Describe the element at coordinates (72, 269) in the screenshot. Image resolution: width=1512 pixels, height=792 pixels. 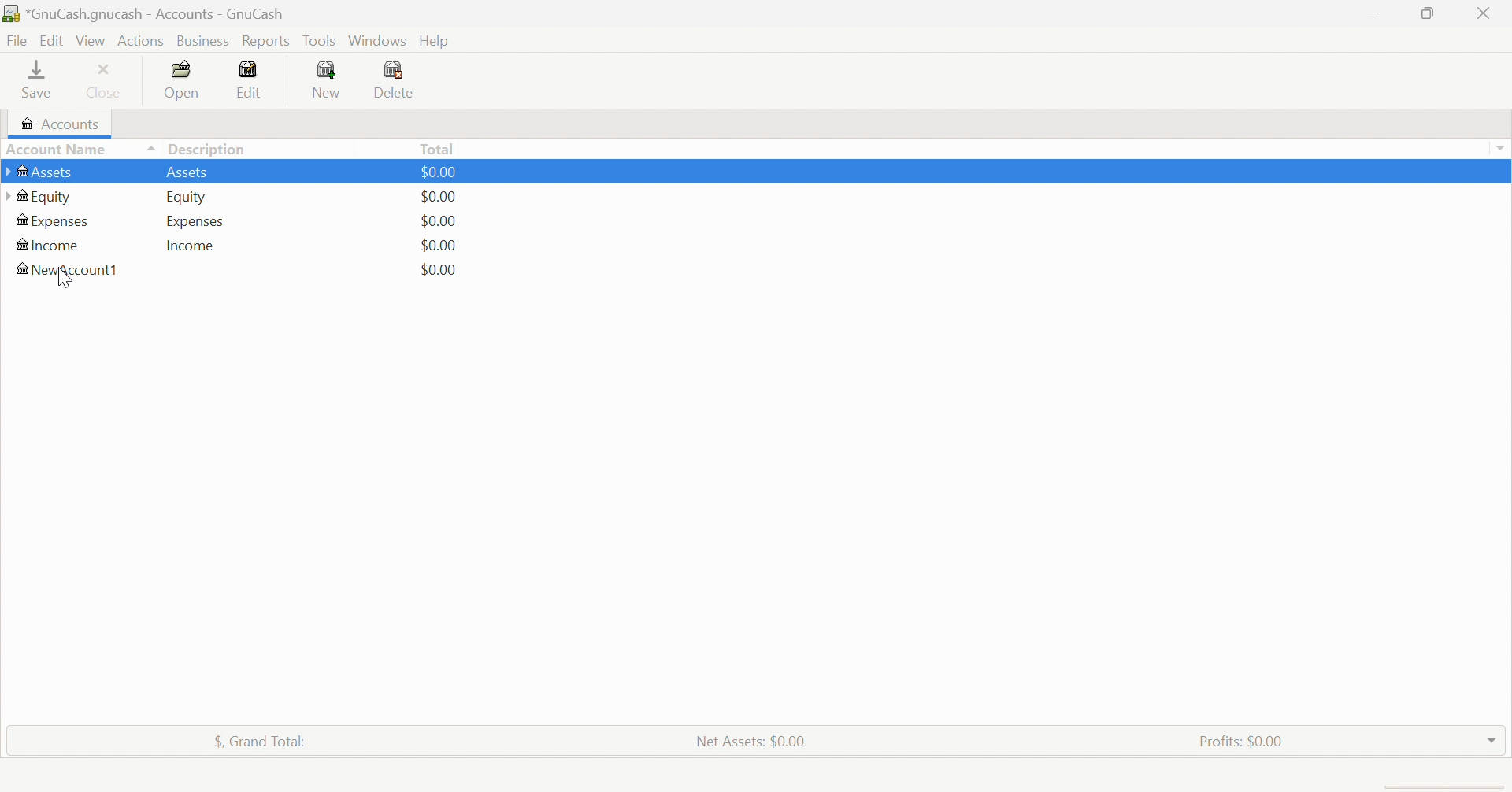
I see `NewAccount1` at that location.